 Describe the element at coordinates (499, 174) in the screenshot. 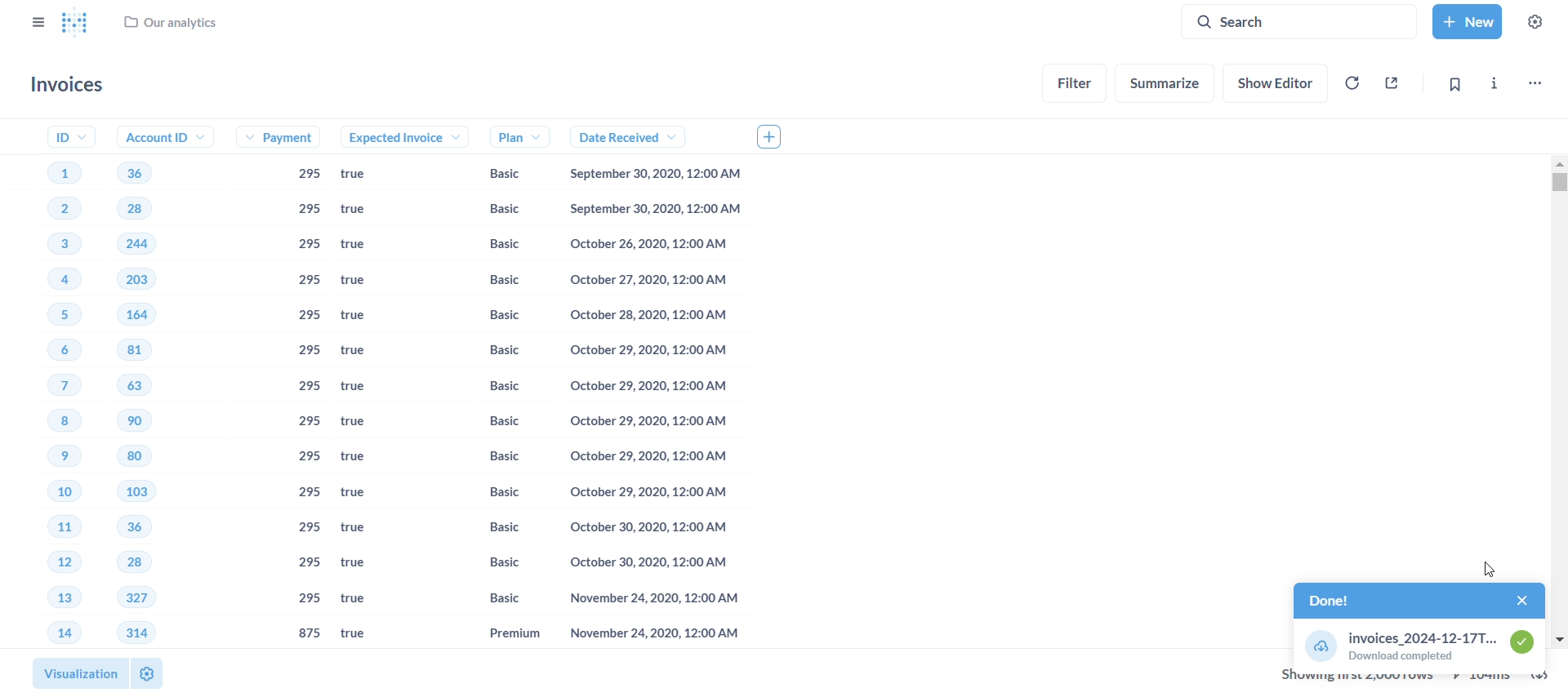

I see `Basic` at that location.